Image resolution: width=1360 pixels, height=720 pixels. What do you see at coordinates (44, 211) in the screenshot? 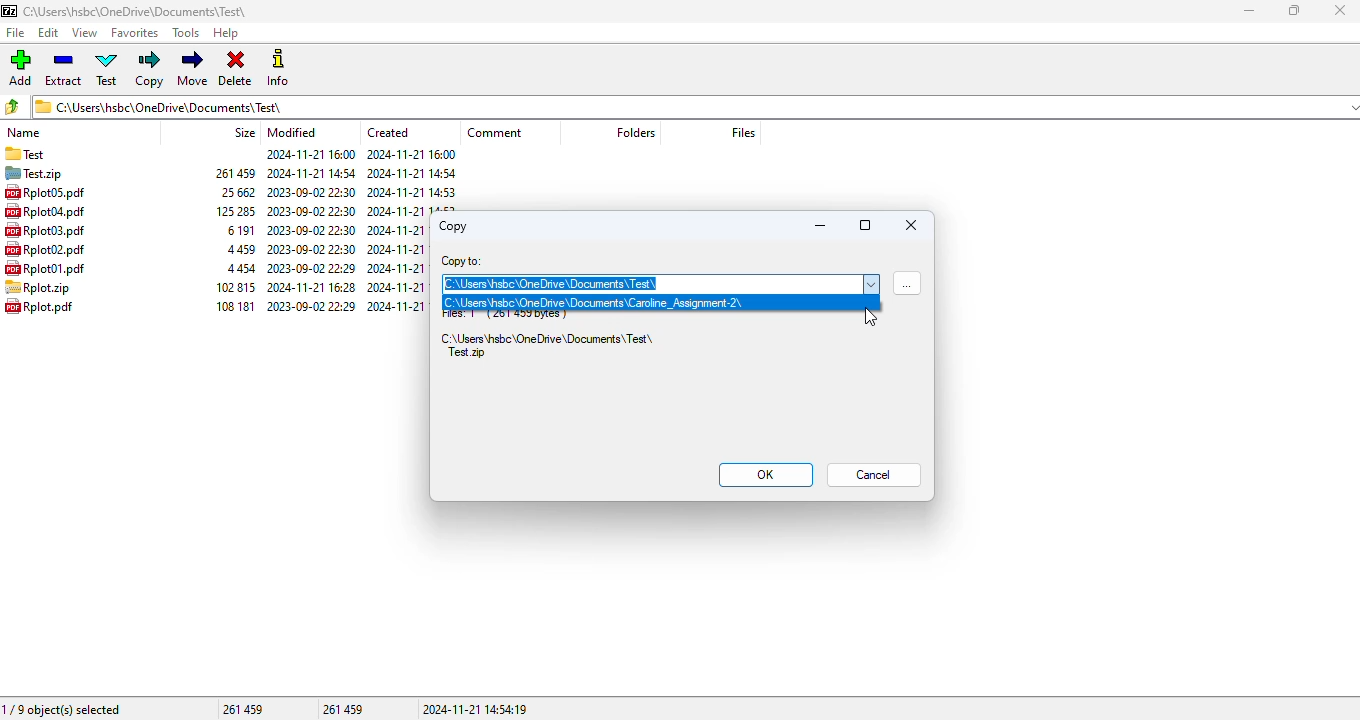
I see `file name` at bounding box center [44, 211].